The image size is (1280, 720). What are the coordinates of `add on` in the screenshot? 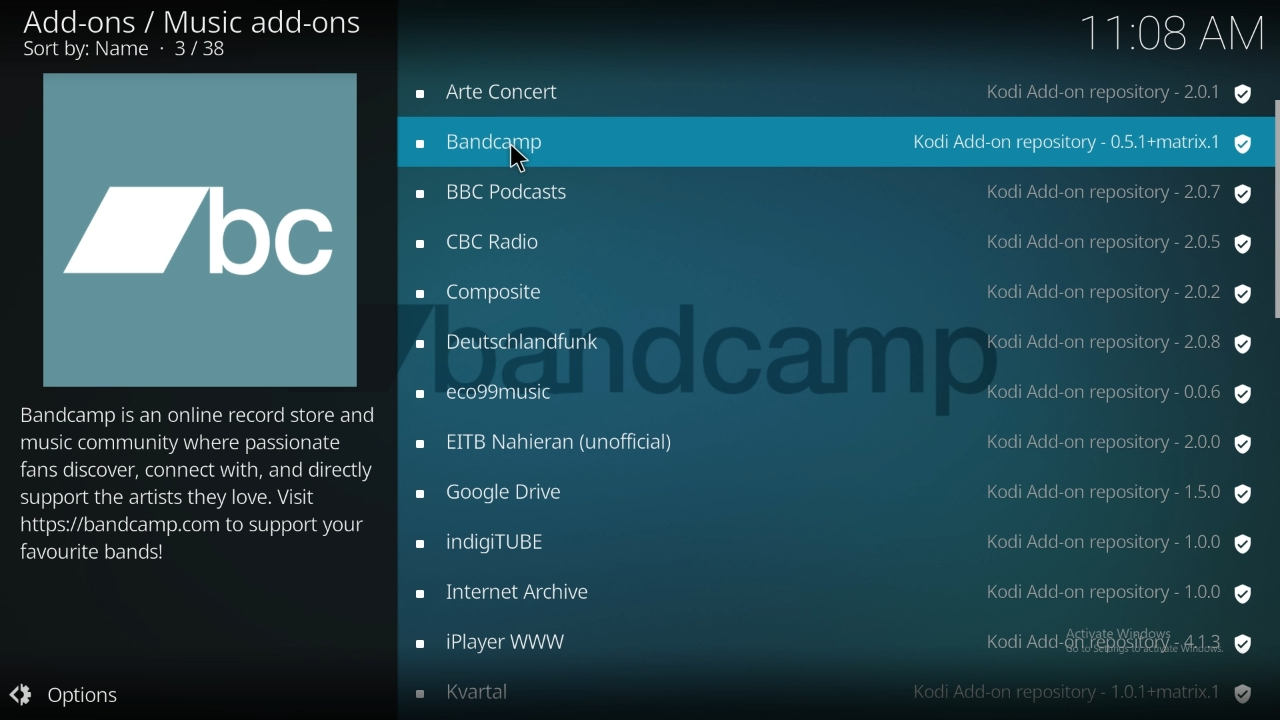 It's located at (833, 541).